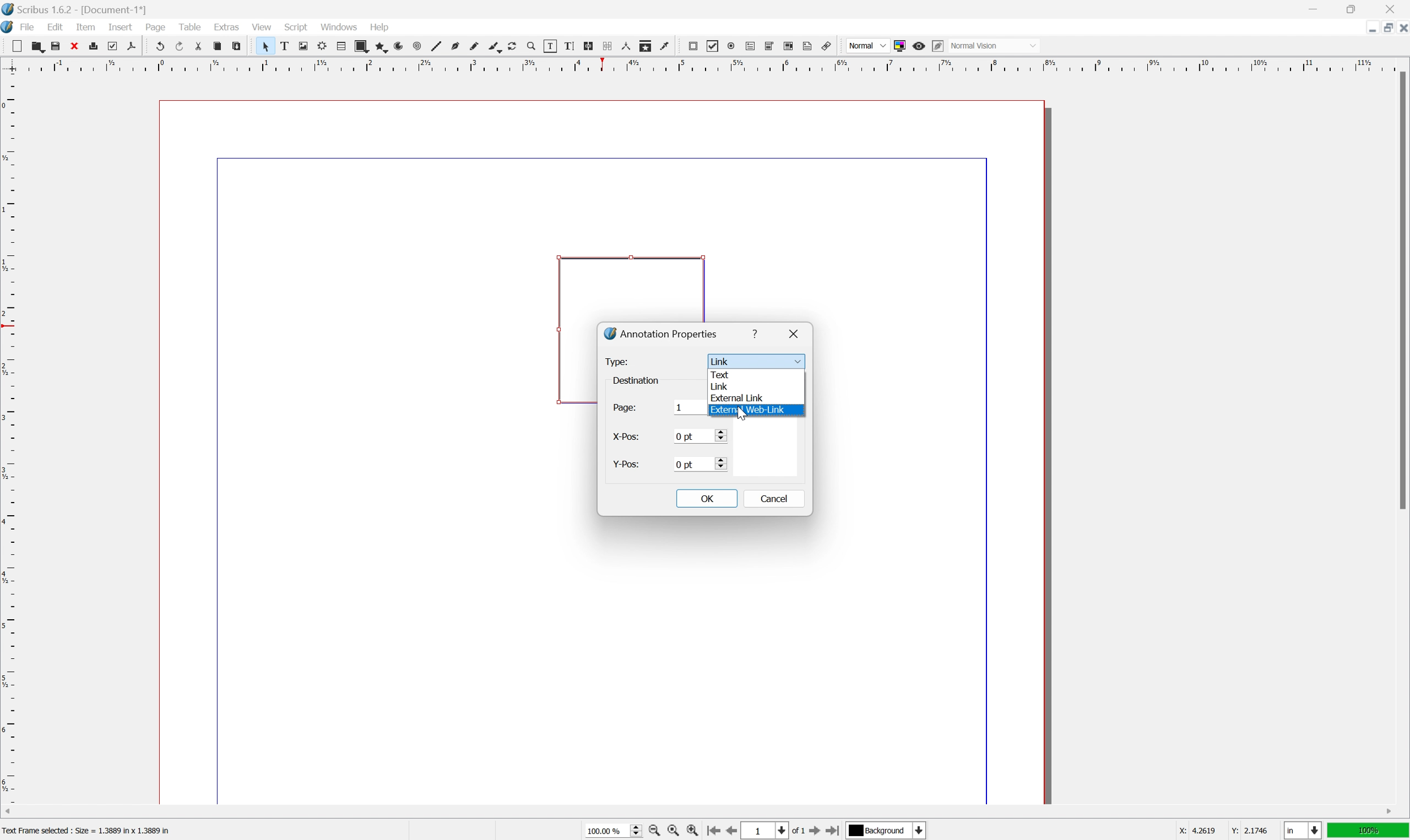  I want to click on table, so click(189, 25).